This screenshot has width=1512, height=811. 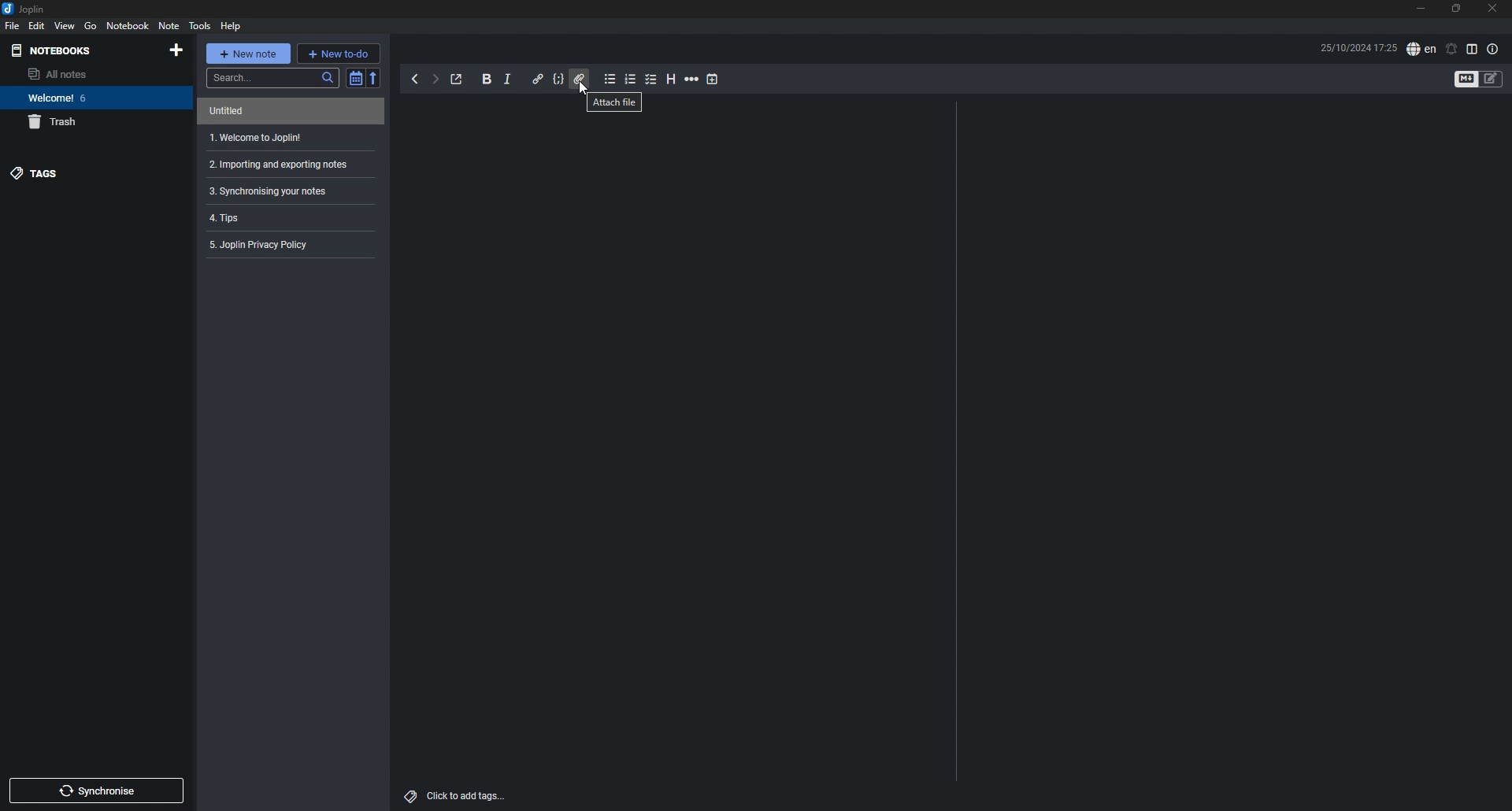 What do you see at coordinates (415, 79) in the screenshot?
I see `backward` at bounding box center [415, 79].